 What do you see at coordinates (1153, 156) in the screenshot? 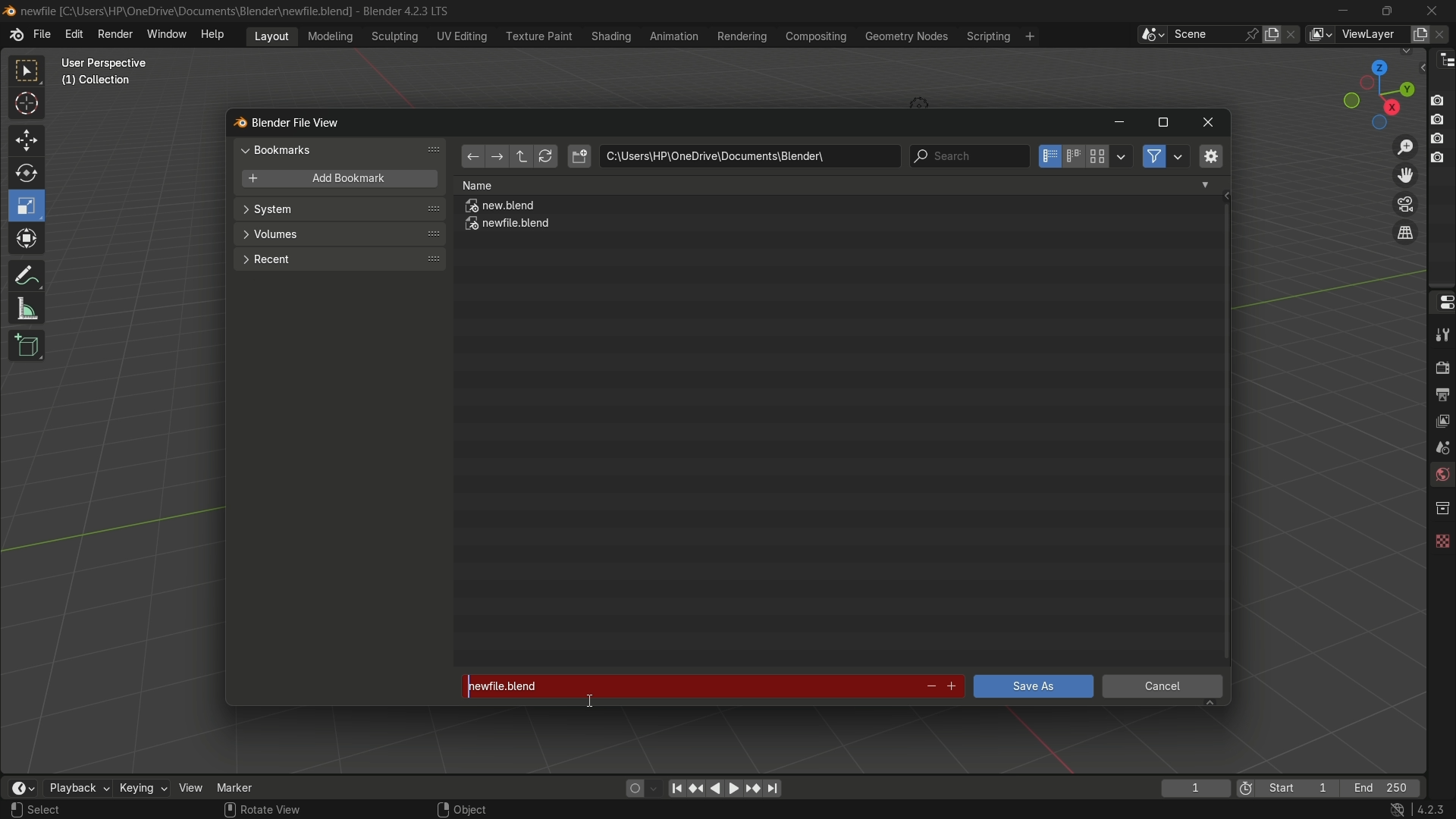
I see `filter files` at bounding box center [1153, 156].